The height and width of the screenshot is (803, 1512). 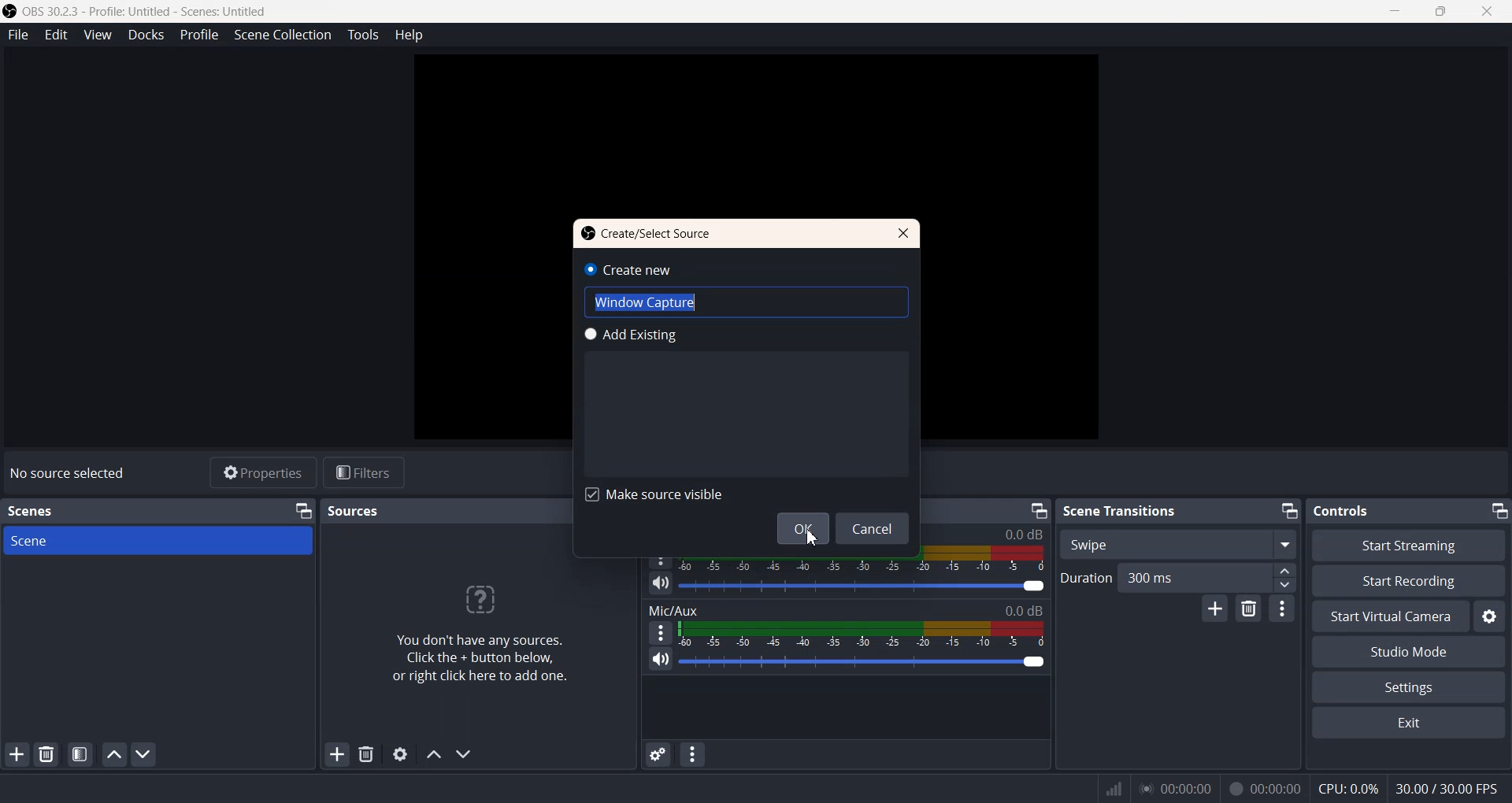 What do you see at coordinates (1215, 609) in the screenshot?
I see `Add configuration transition` at bounding box center [1215, 609].